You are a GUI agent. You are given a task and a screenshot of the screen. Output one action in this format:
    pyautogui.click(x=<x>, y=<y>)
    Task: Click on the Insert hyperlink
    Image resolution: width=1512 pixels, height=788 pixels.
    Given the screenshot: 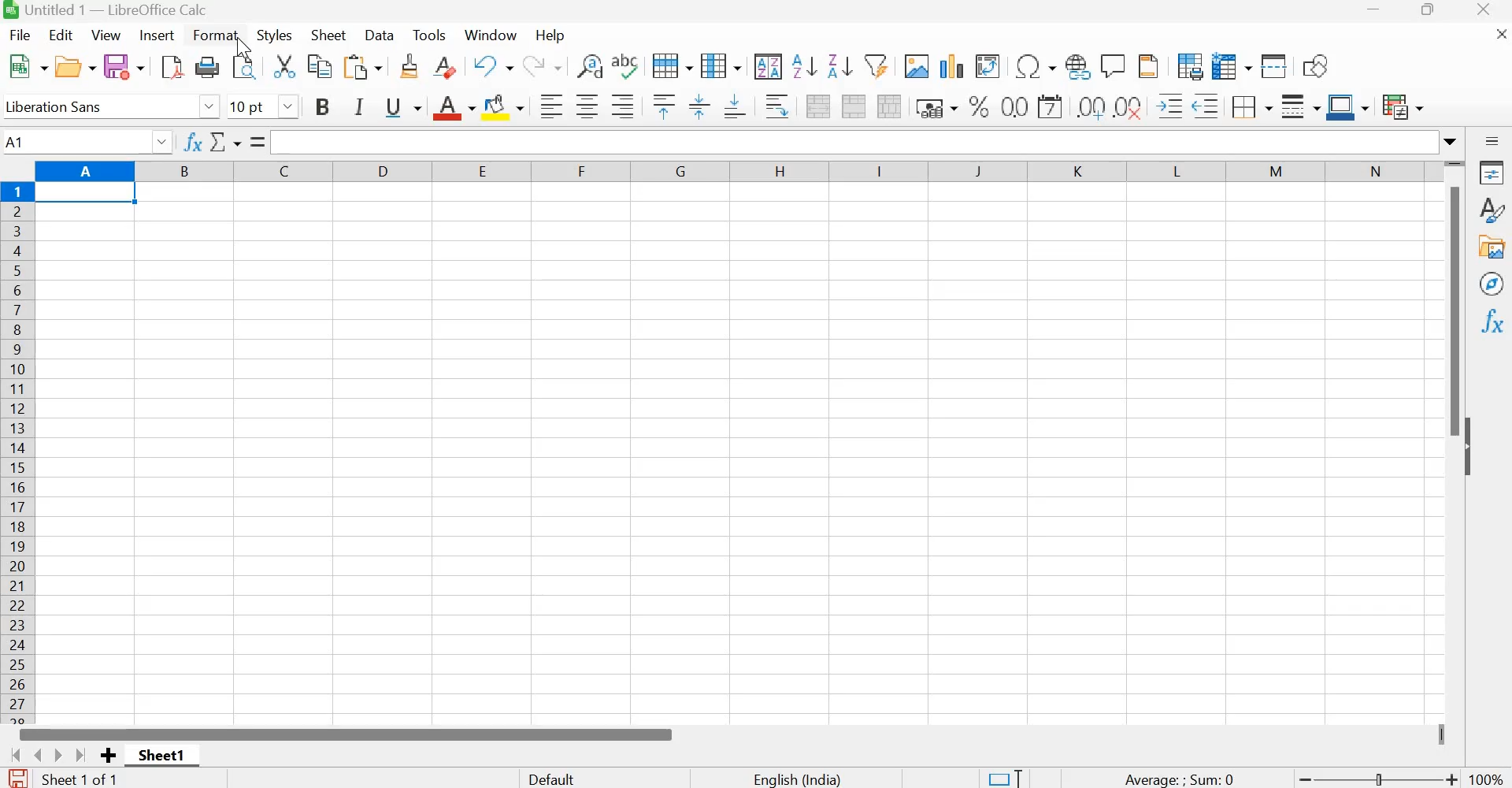 What is the action you would take?
    pyautogui.click(x=1078, y=64)
    